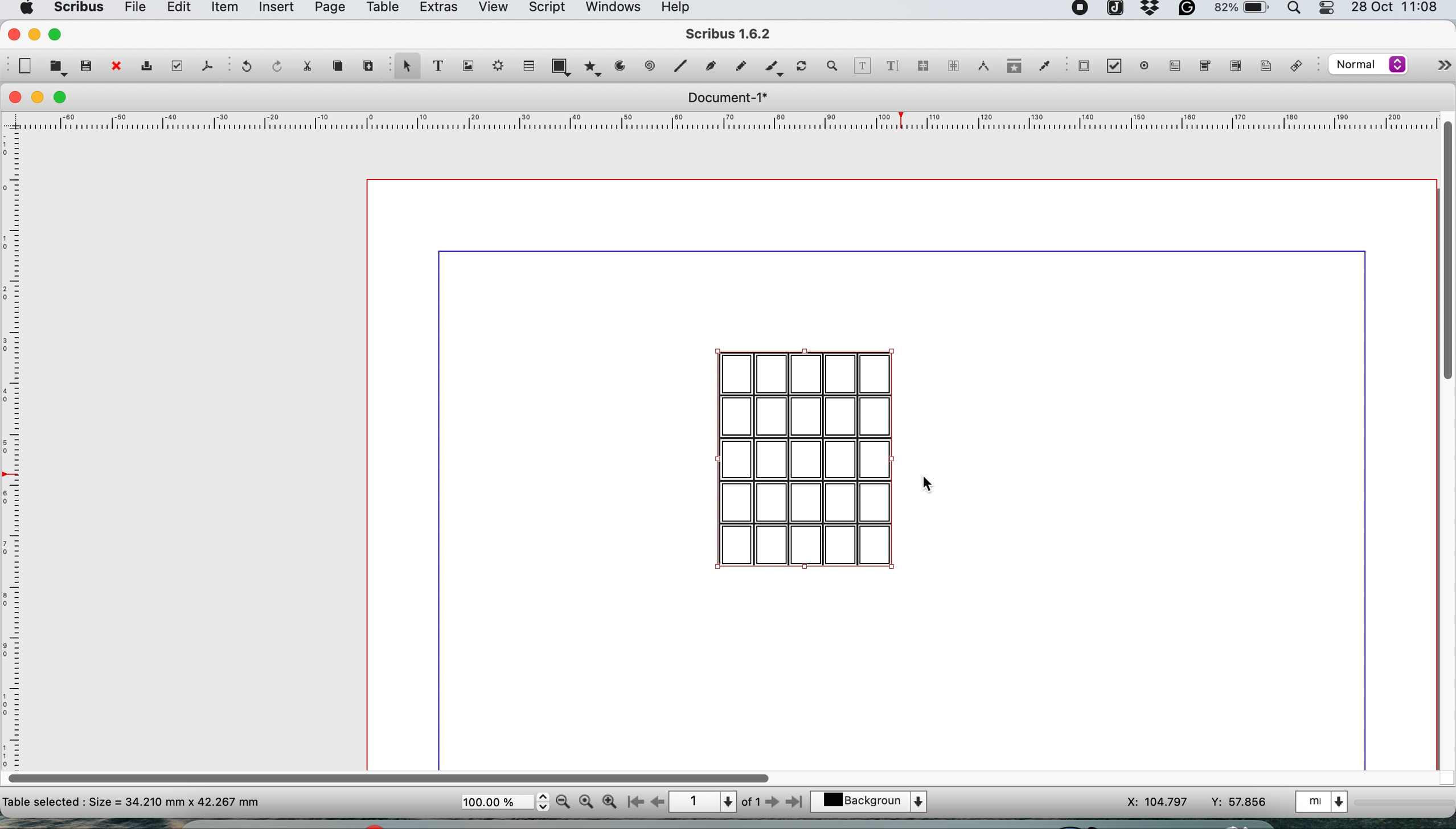 The height and width of the screenshot is (829, 1456). I want to click on maximise, so click(58, 34).